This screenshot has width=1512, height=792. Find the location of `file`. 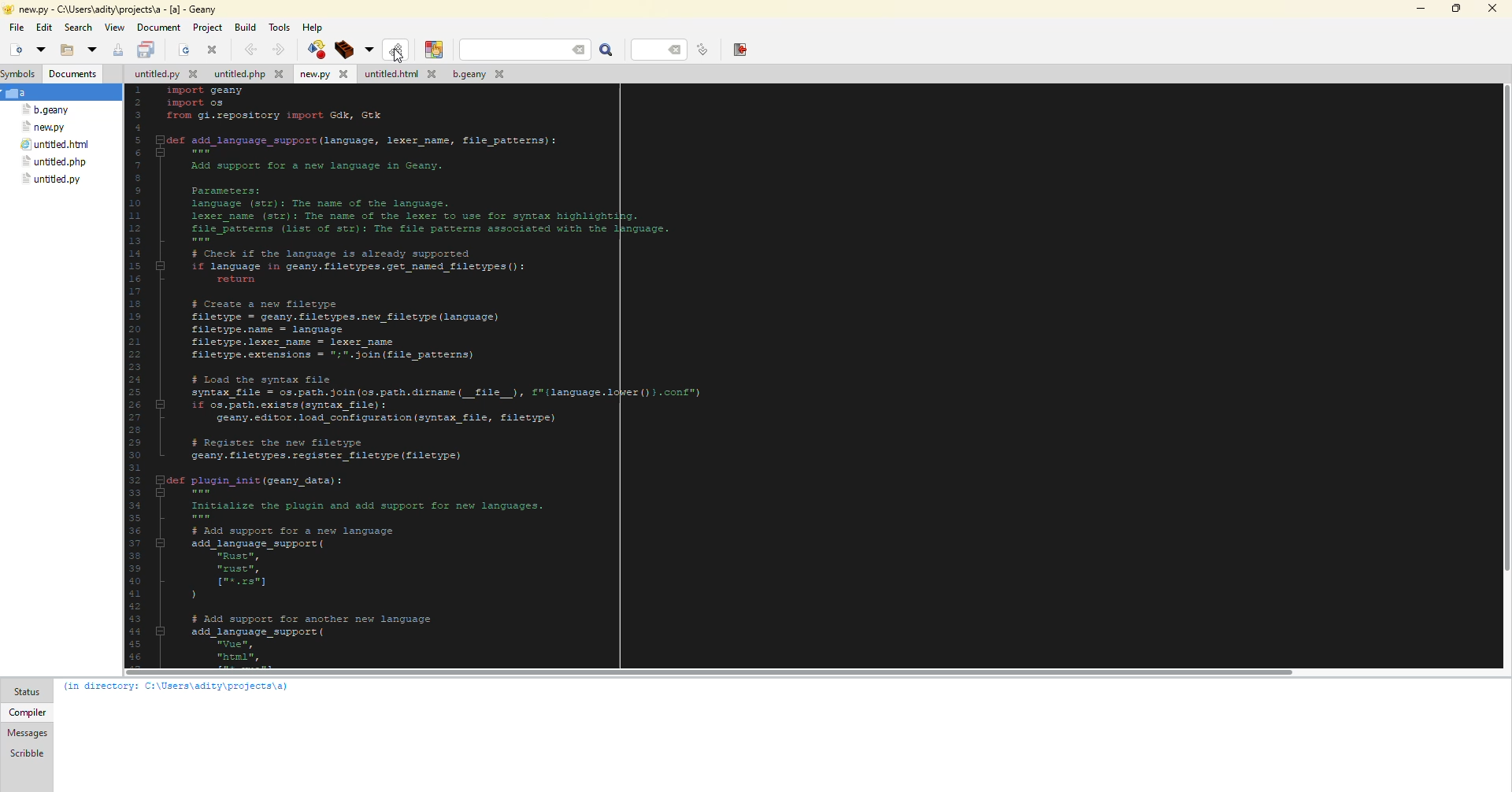

file is located at coordinates (52, 179).